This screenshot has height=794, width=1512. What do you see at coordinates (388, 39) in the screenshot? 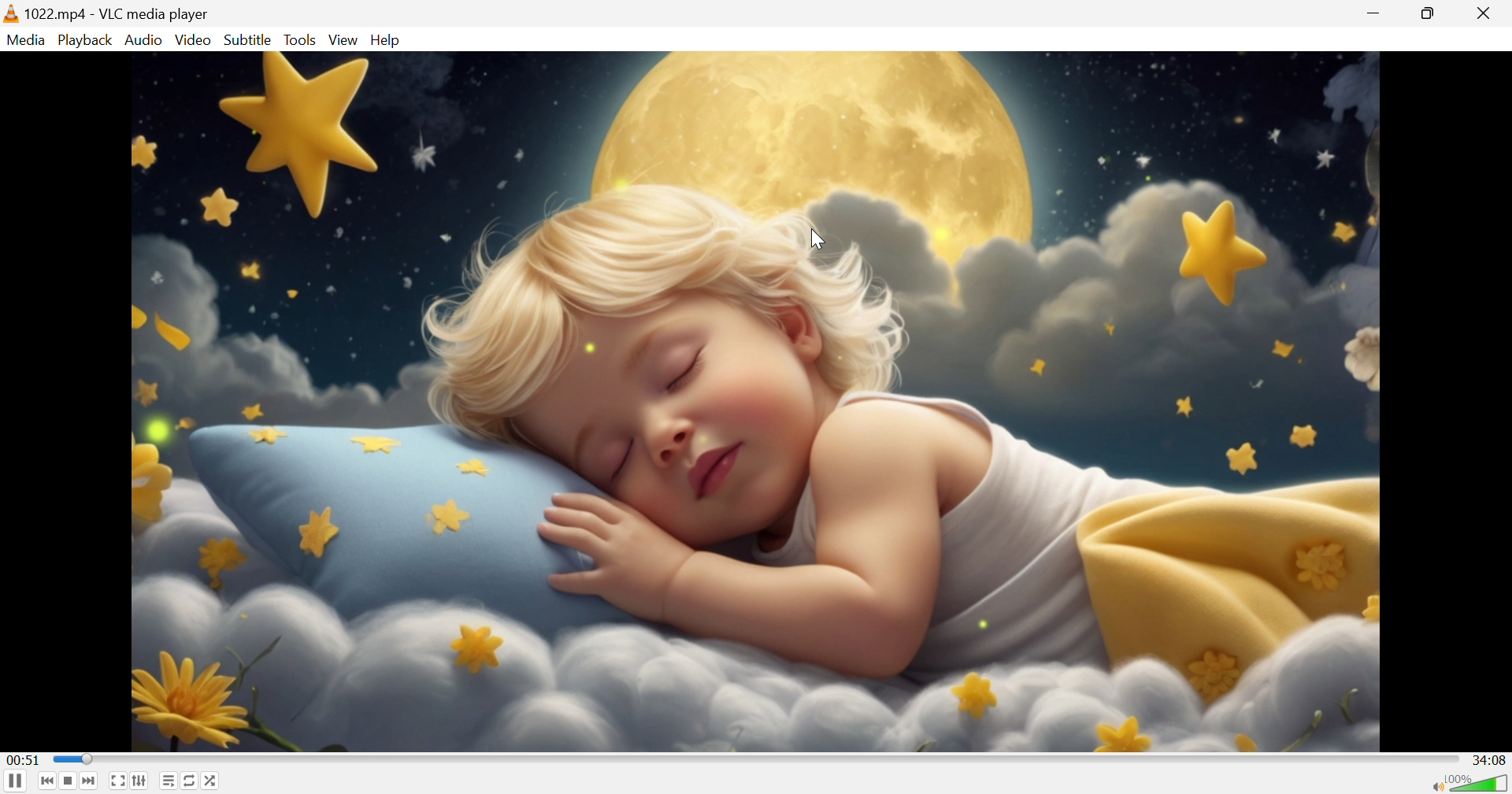
I see `Help` at bounding box center [388, 39].